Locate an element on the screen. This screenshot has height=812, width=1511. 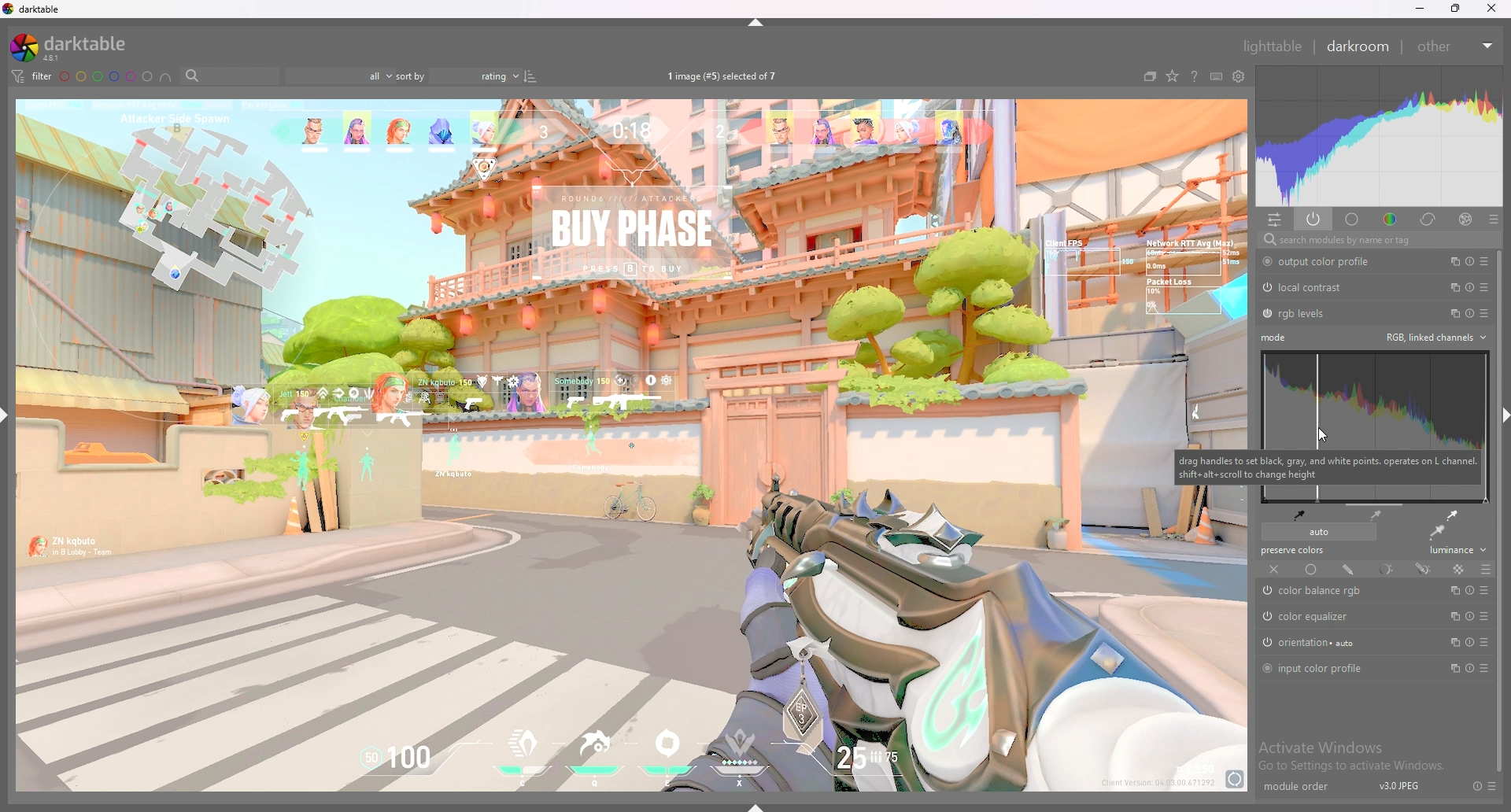
multiple instances action is located at coordinates (1450, 286).